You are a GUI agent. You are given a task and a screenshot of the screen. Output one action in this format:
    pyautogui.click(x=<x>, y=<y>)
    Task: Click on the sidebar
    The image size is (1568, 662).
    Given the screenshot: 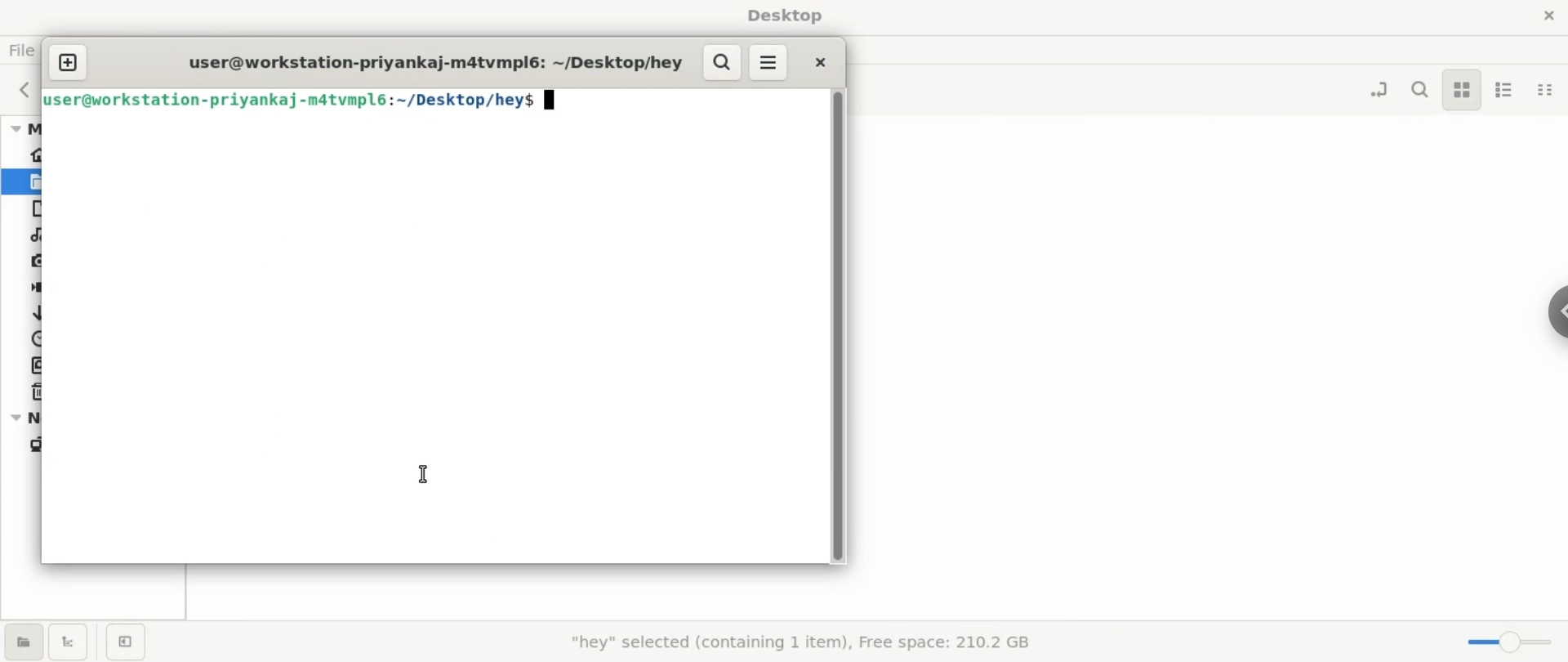 What is the action you would take?
    pyautogui.click(x=1545, y=309)
    